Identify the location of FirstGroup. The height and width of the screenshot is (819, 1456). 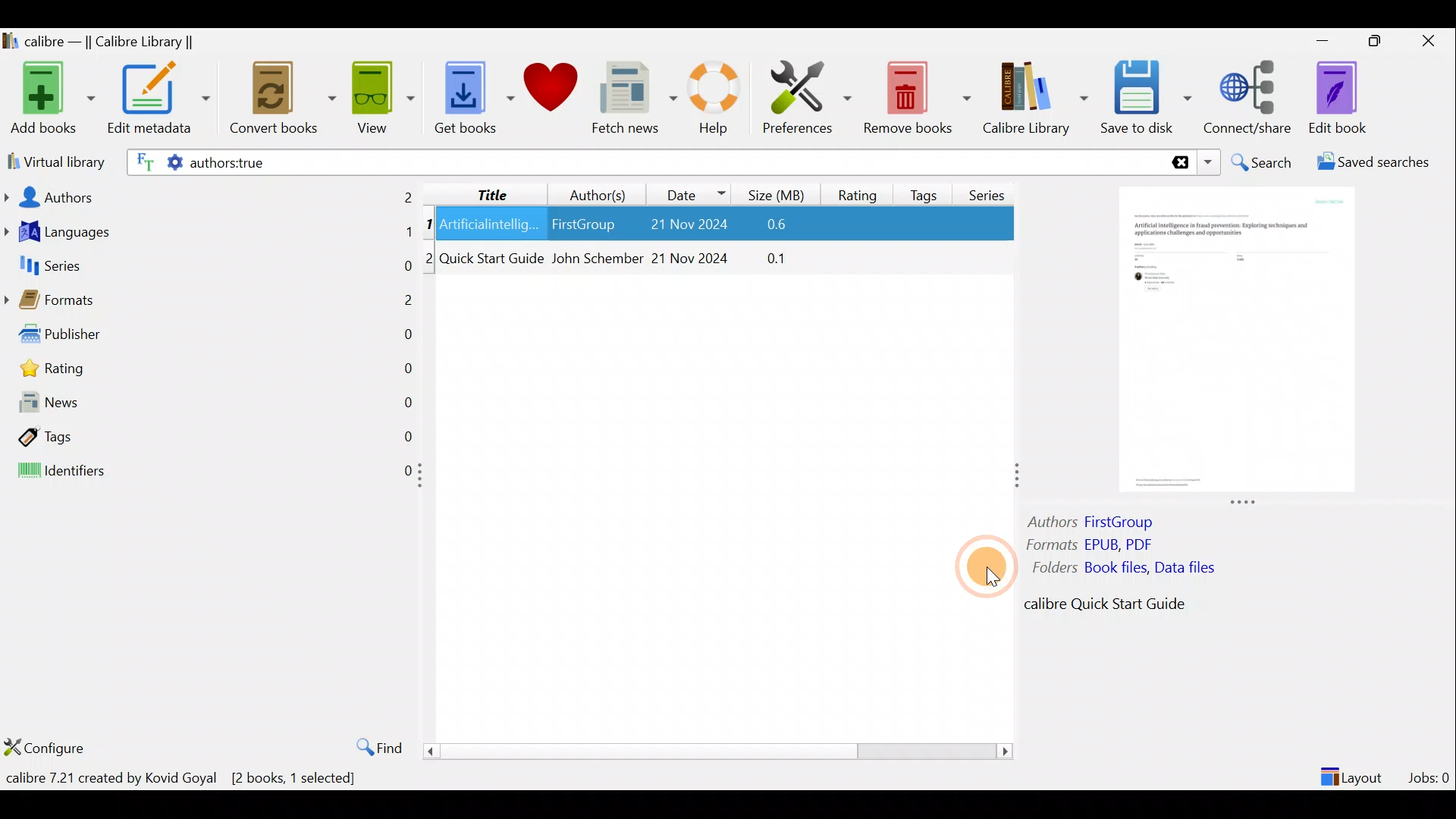
(582, 221).